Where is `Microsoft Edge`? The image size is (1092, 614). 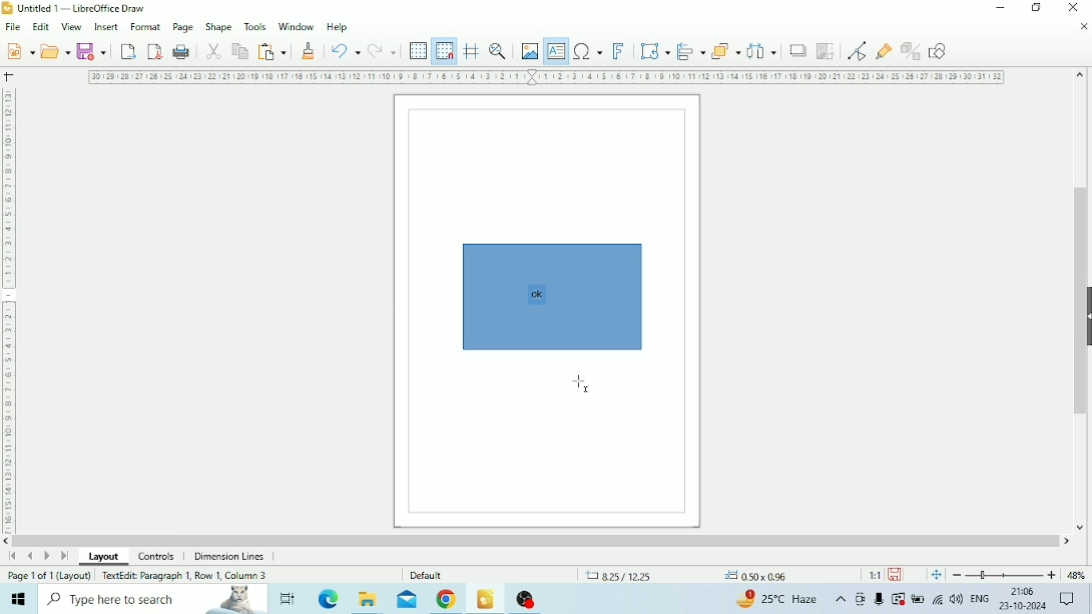 Microsoft Edge is located at coordinates (327, 600).